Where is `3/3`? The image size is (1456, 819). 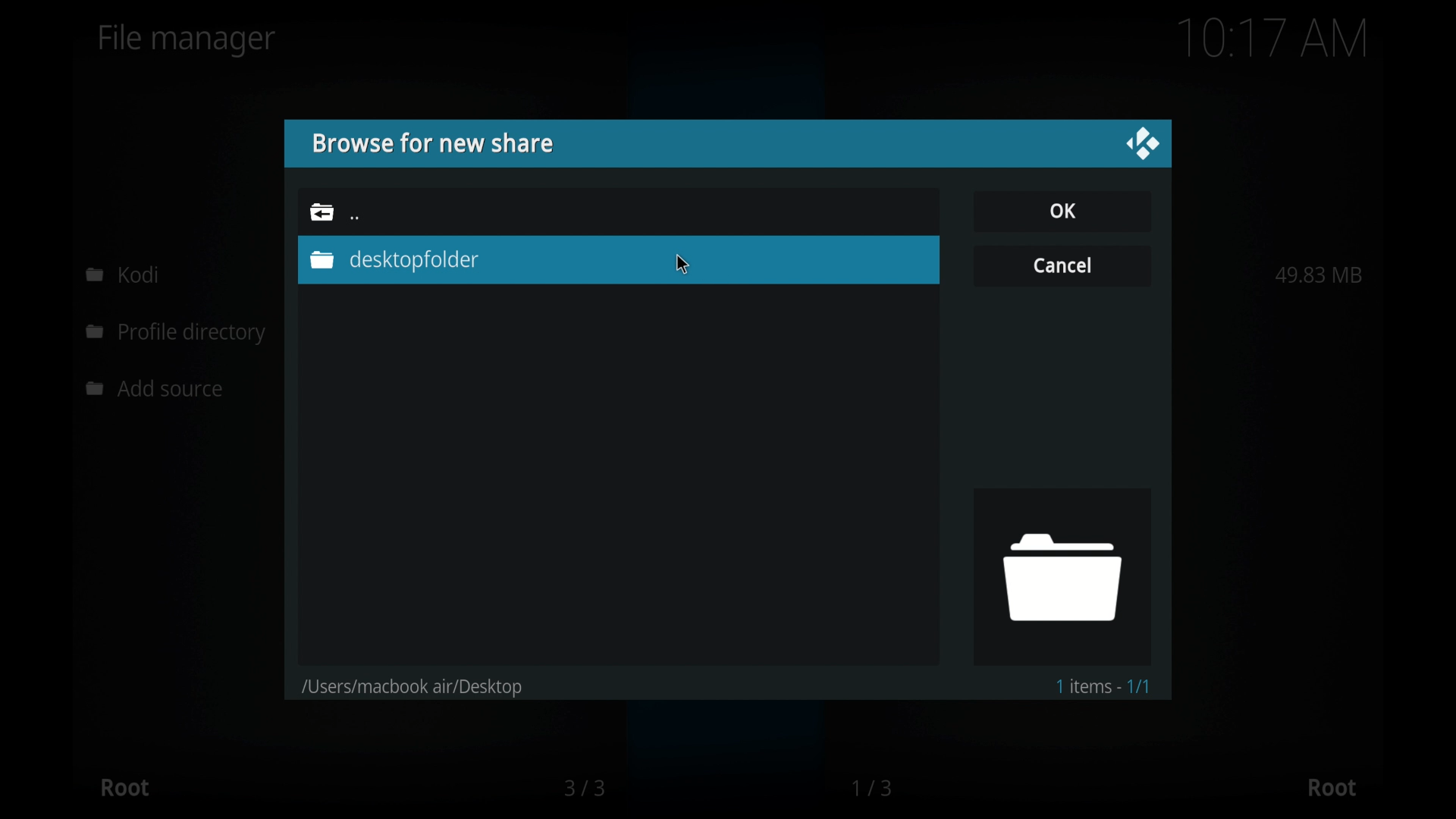 3/3 is located at coordinates (583, 788).